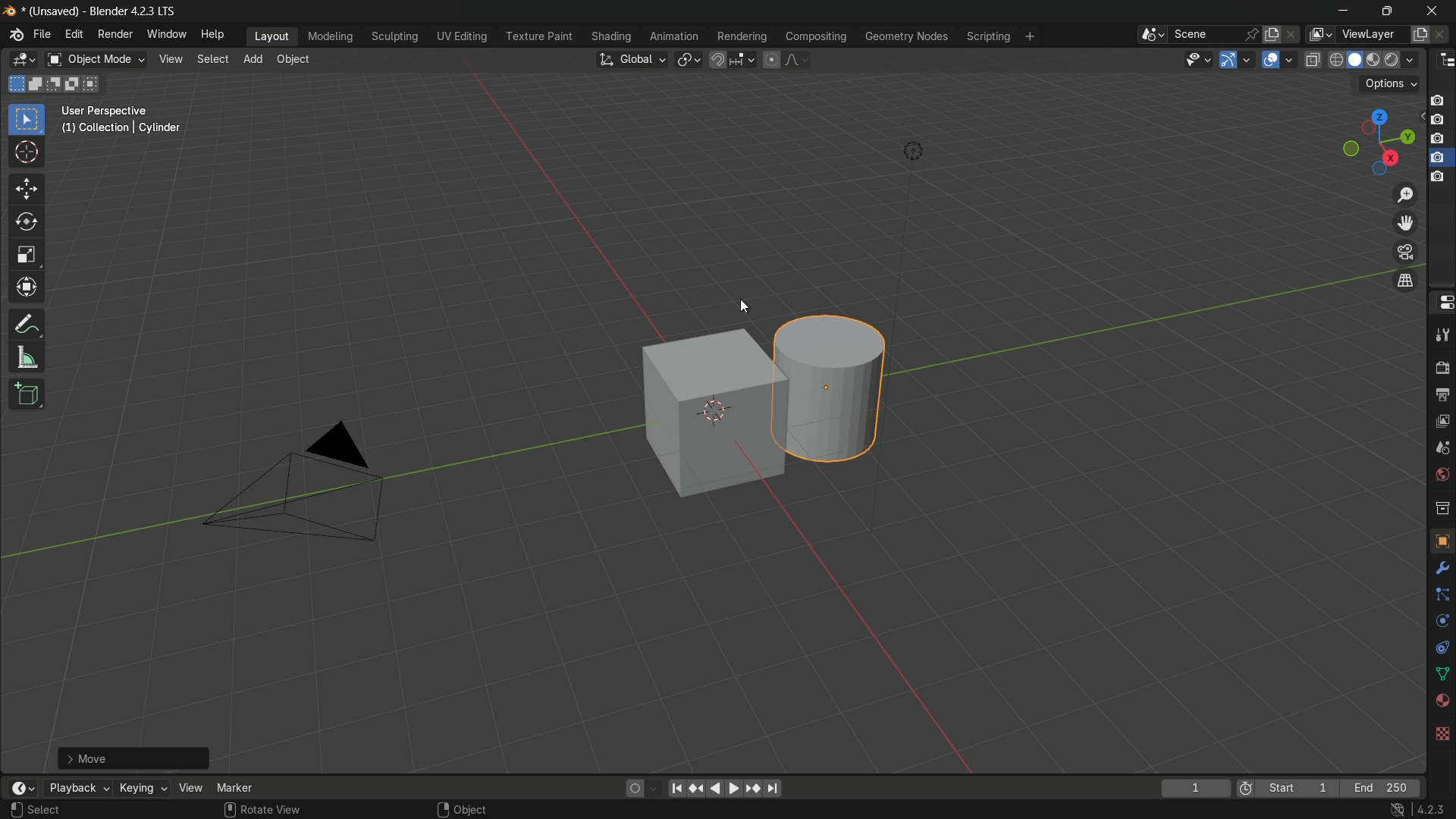  What do you see at coordinates (745, 306) in the screenshot?
I see `cursor` at bounding box center [745, 306].